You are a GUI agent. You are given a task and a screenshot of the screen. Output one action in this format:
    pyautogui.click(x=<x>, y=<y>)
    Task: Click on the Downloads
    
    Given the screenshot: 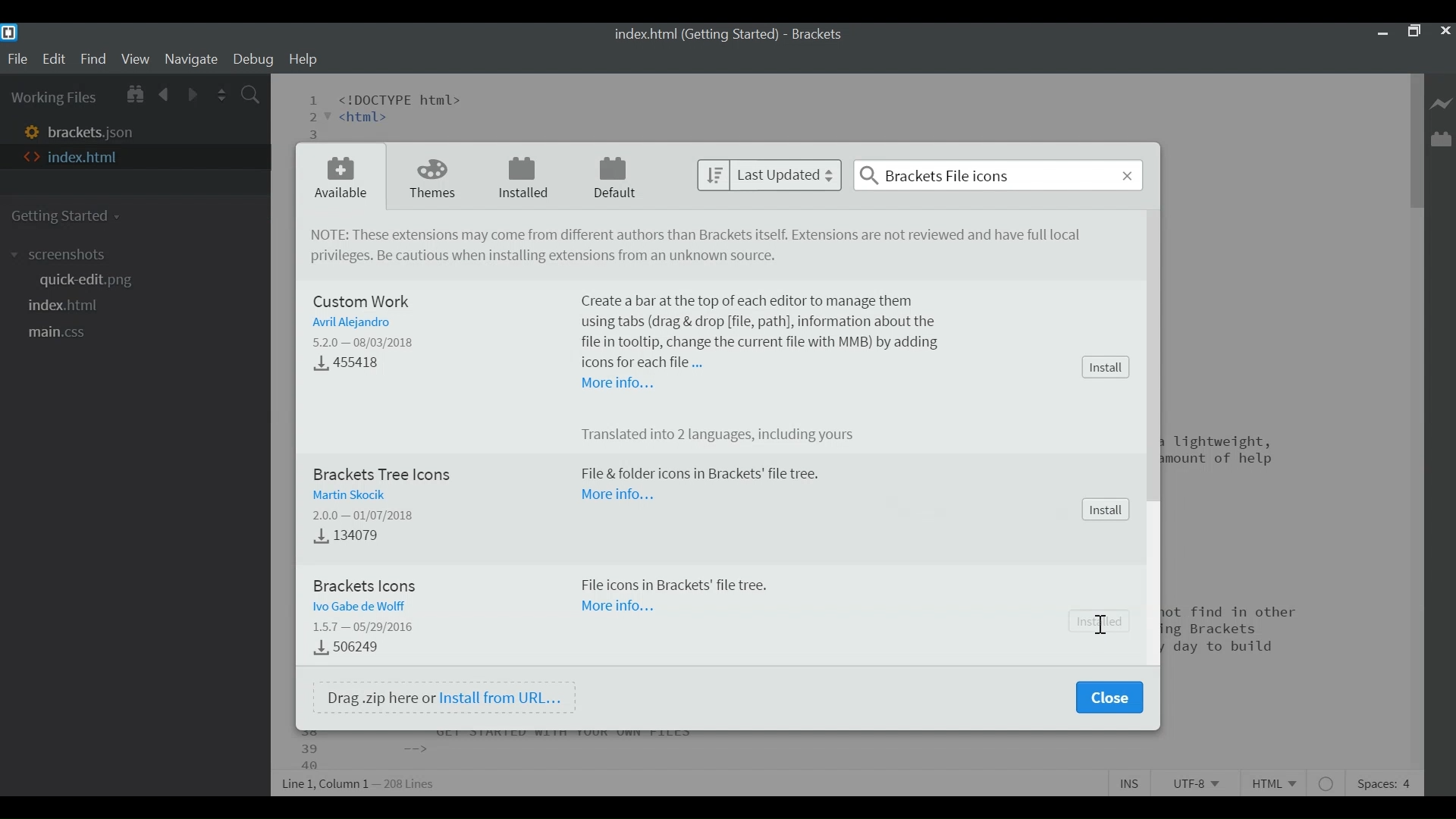 What is the action you would take?
    pyautogui.click(x=347, y=648)
    